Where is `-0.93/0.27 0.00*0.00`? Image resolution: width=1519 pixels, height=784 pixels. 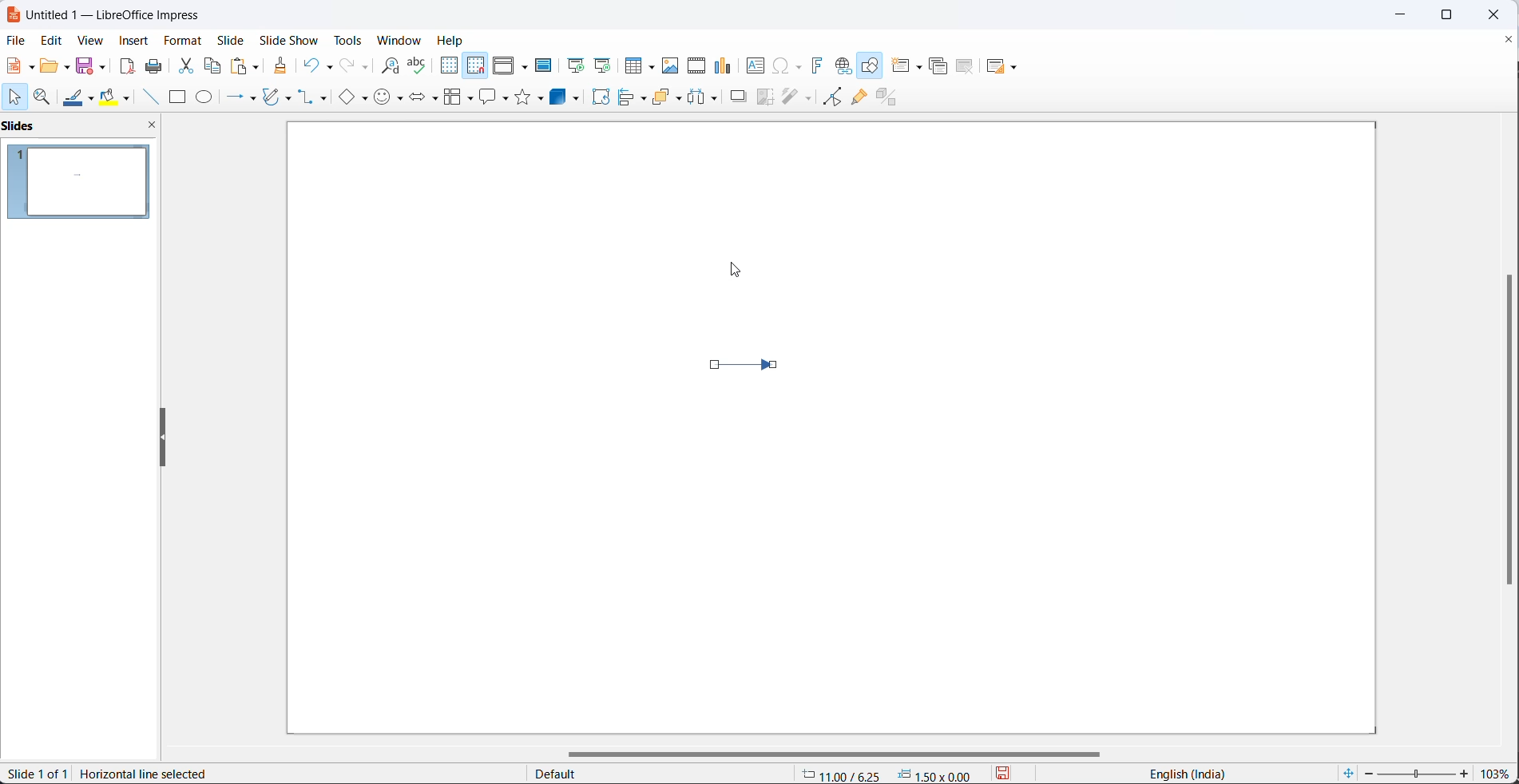 -0.93/0.27 0.00*0.00 is located at coordinates (892, 774).